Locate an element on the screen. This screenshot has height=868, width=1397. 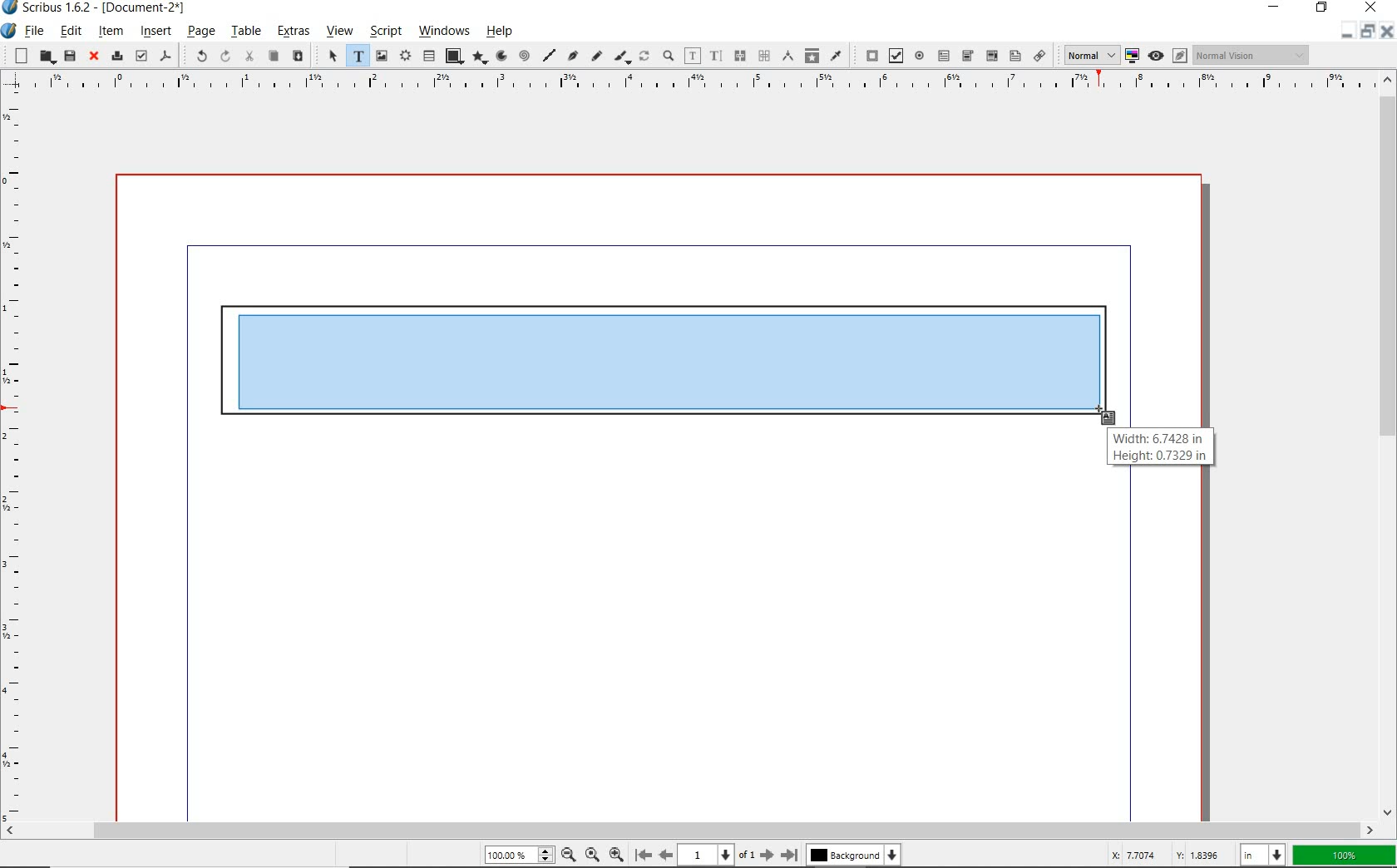
preview mode is located at coordinates (1166, 56).